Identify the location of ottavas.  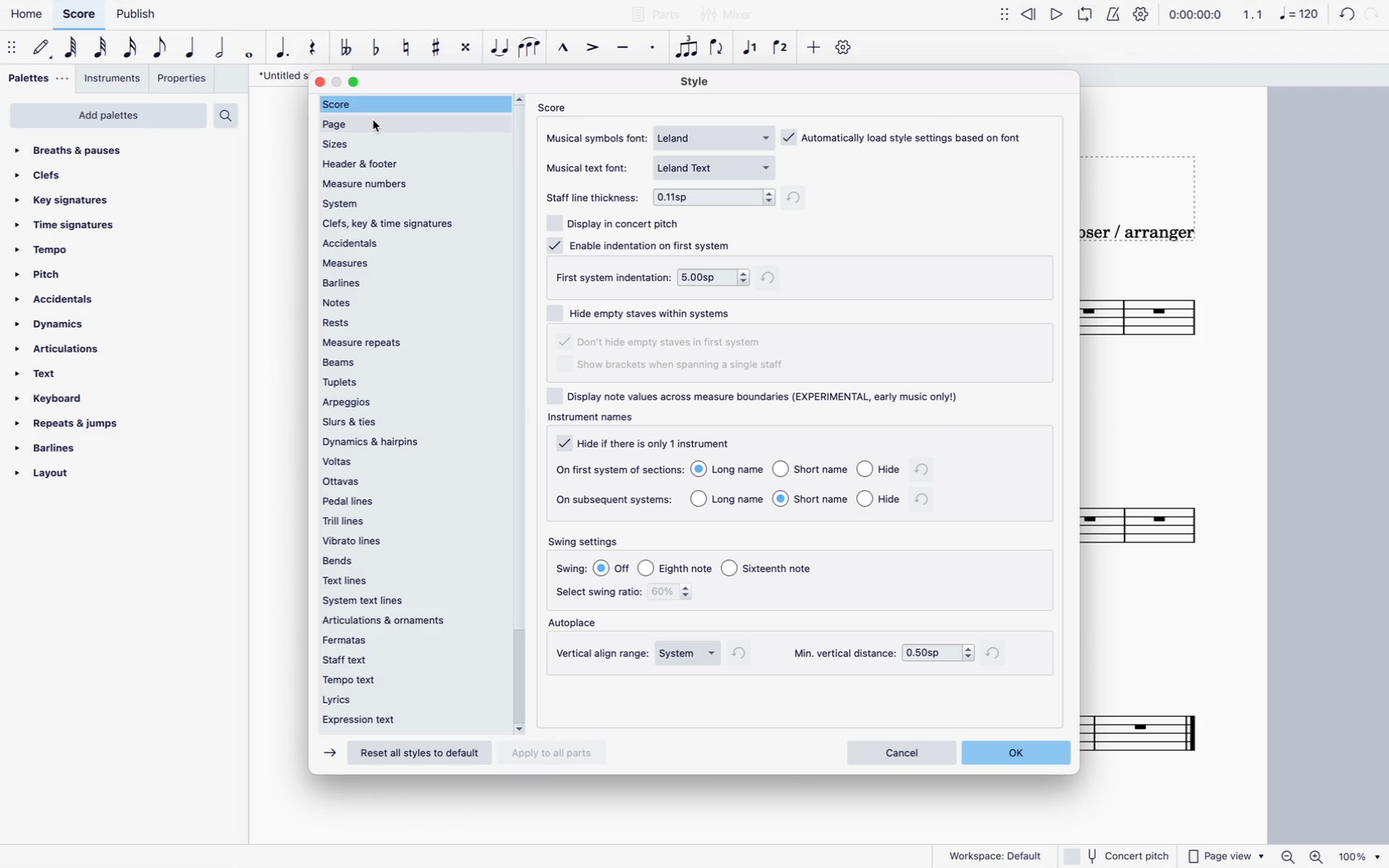
(409, 482).